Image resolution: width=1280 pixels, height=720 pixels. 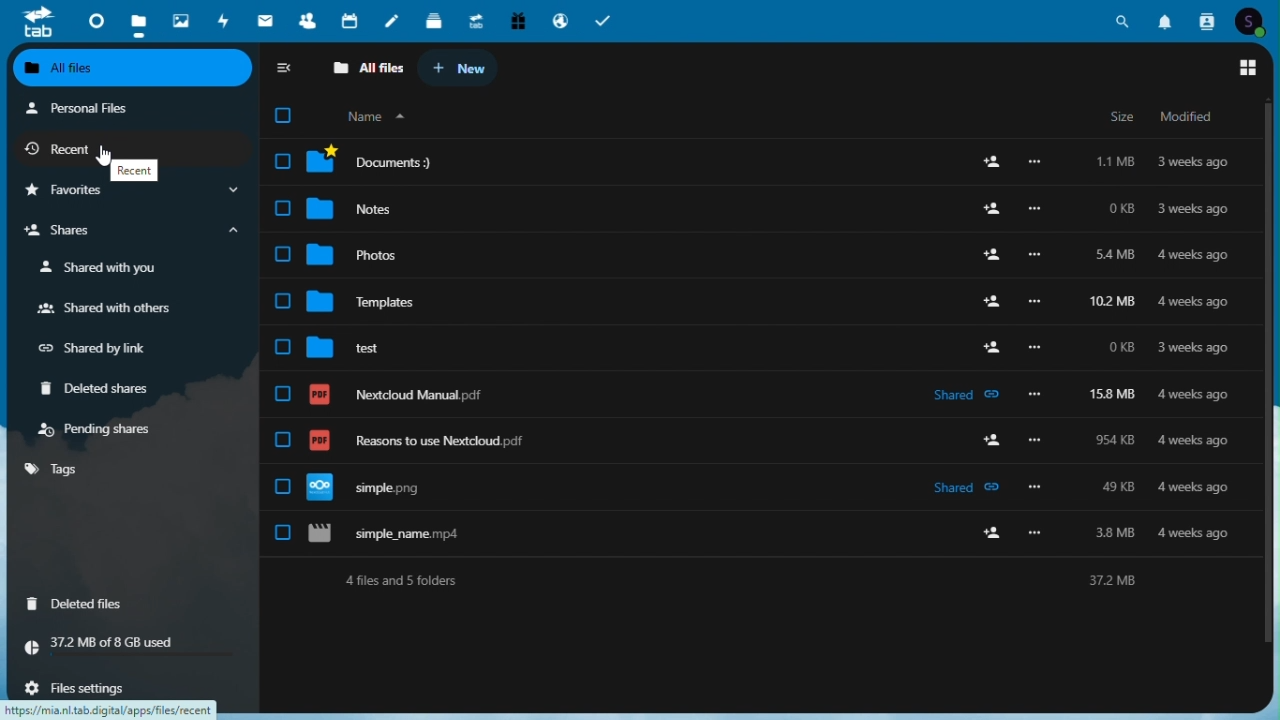 What do you see at coordinates (377, 116) in the screenshot?
I see `Organised by name` at bounding box center [377, 116].